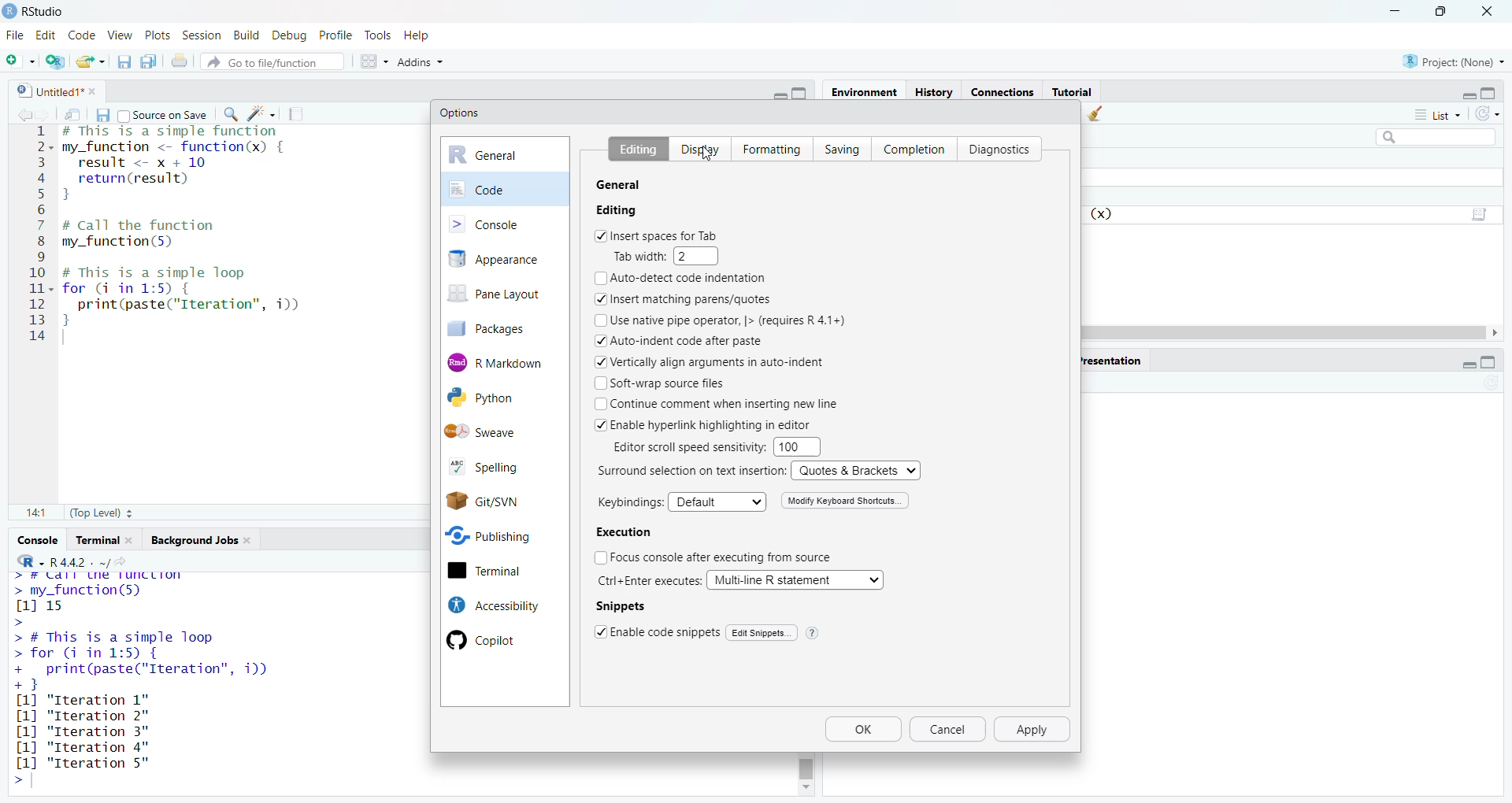 The image size is (1512, 803). Describe the element at coordinates (805, 789) in the screenshot. I see `move down` at that location.